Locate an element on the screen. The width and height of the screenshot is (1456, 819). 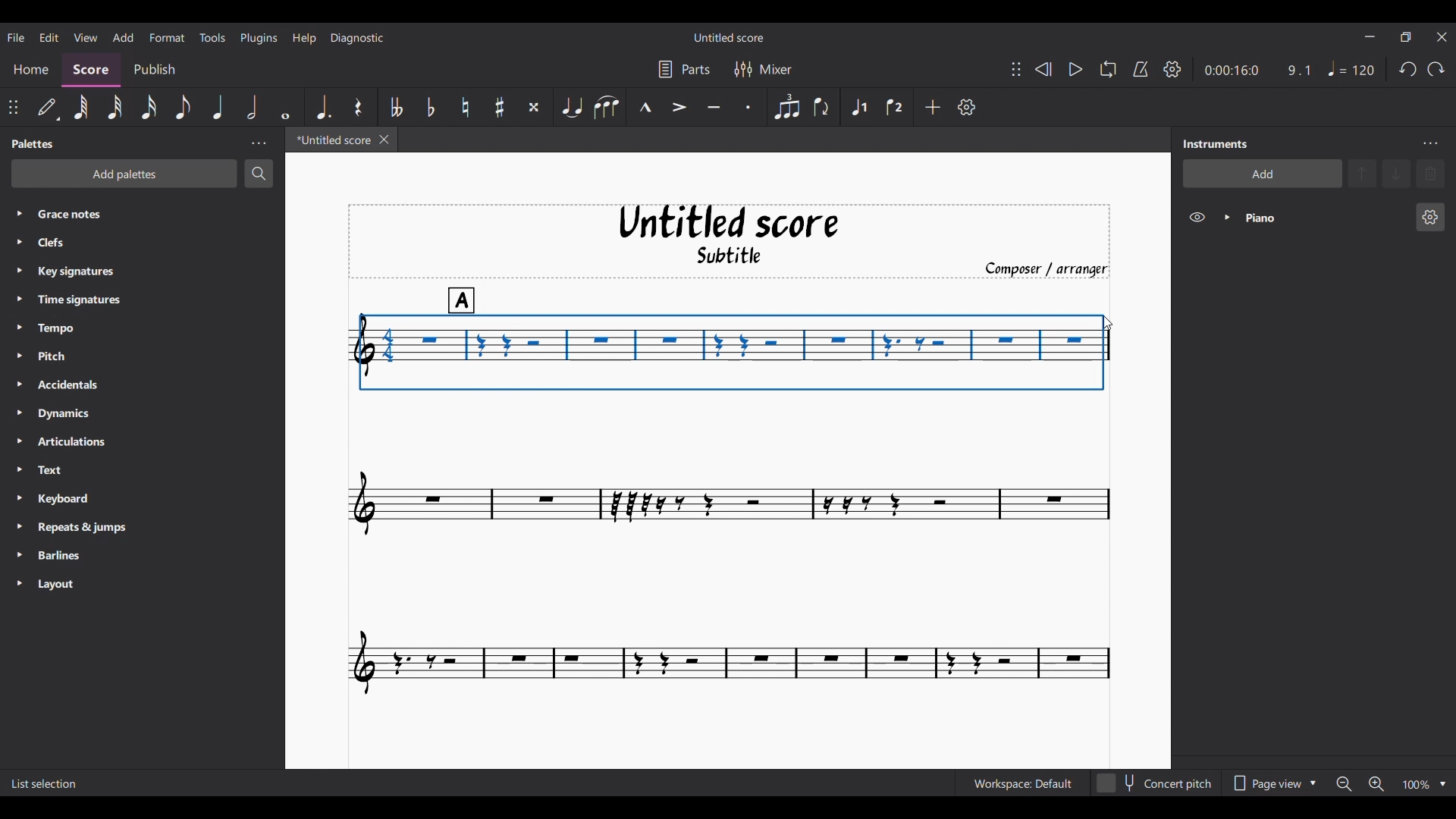
Palette title is located at coordinates (34, 144).